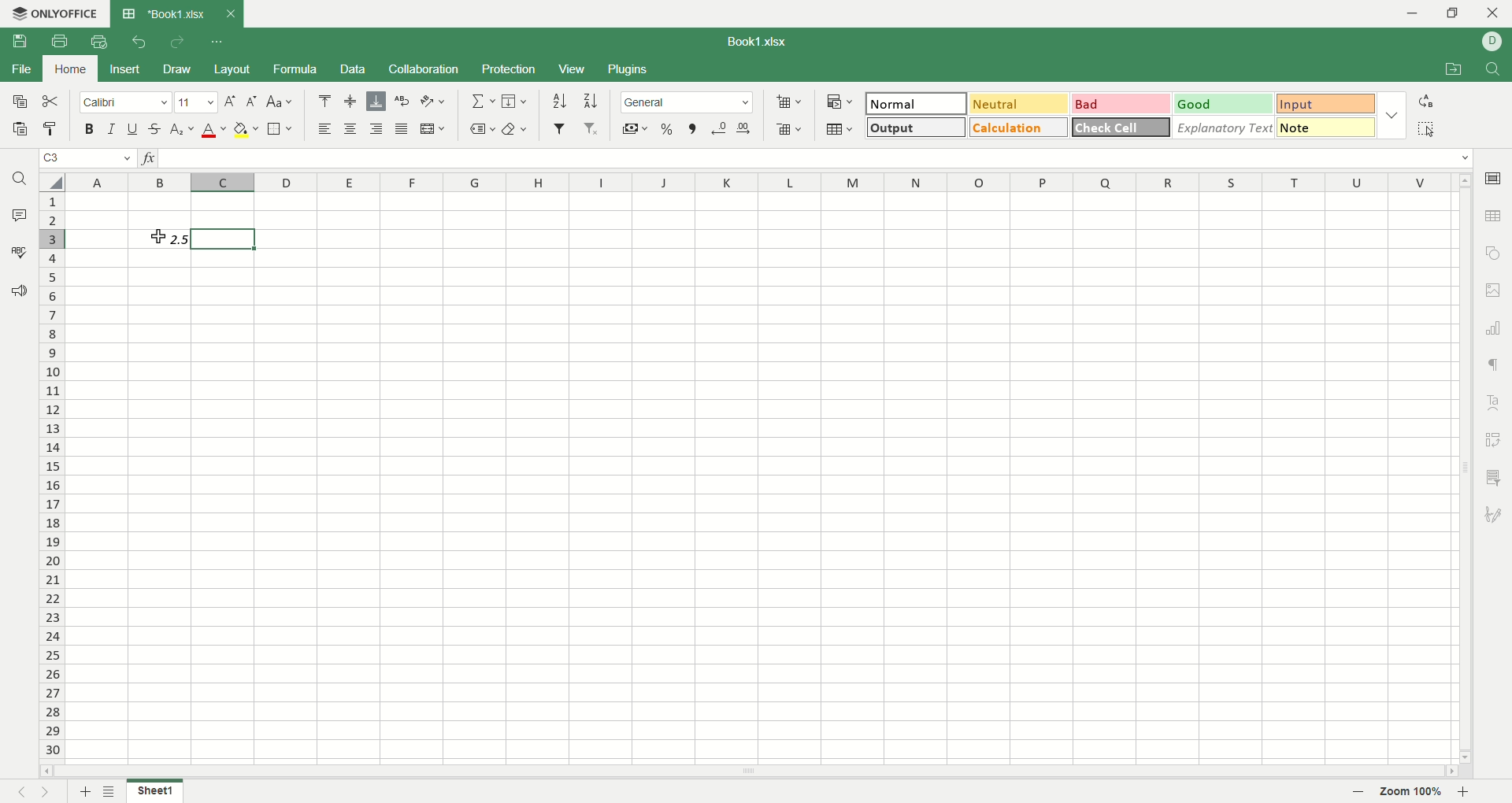  I want to click on select all, so click(1426, 128).